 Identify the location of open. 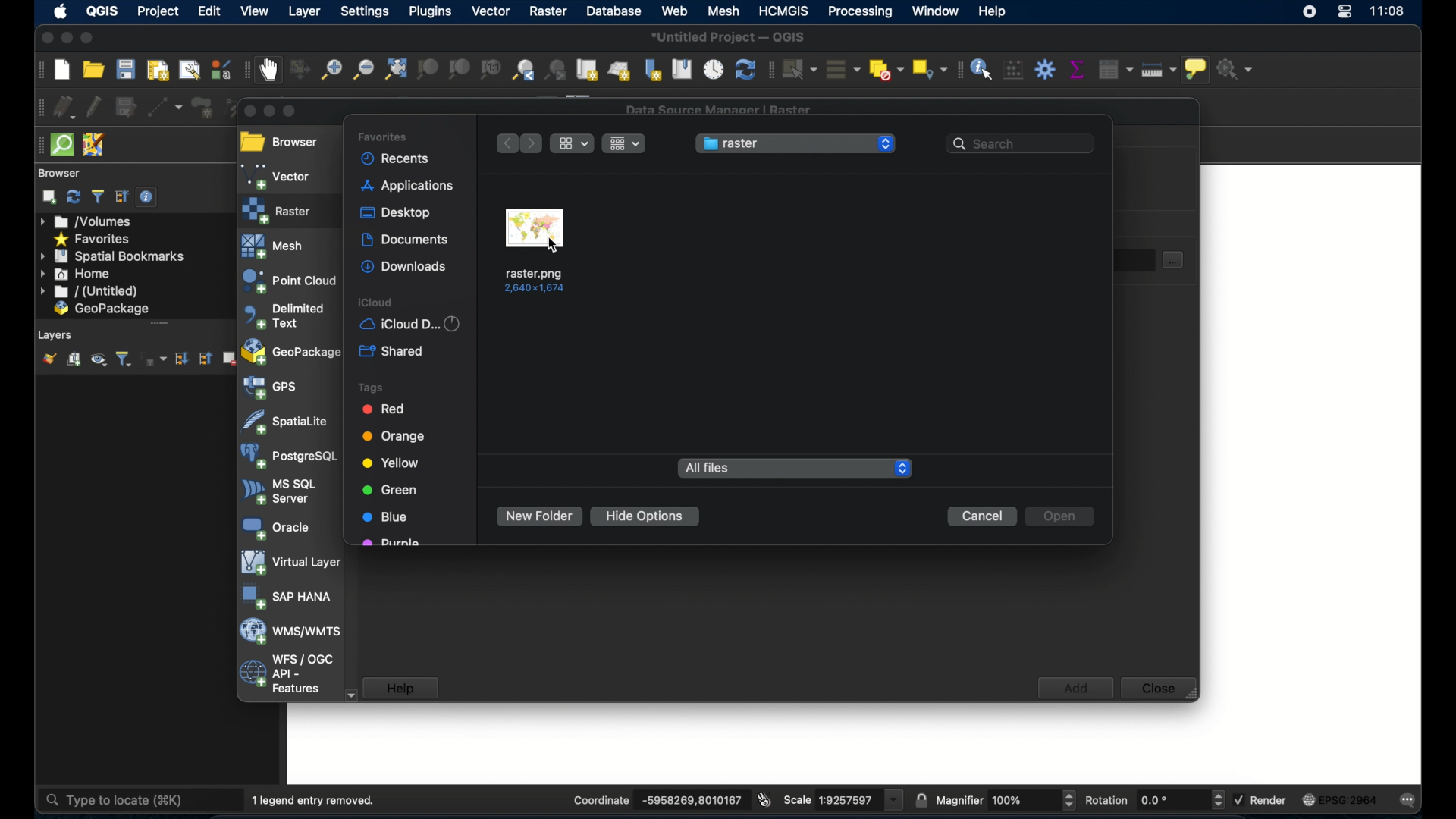
(1064, 517).